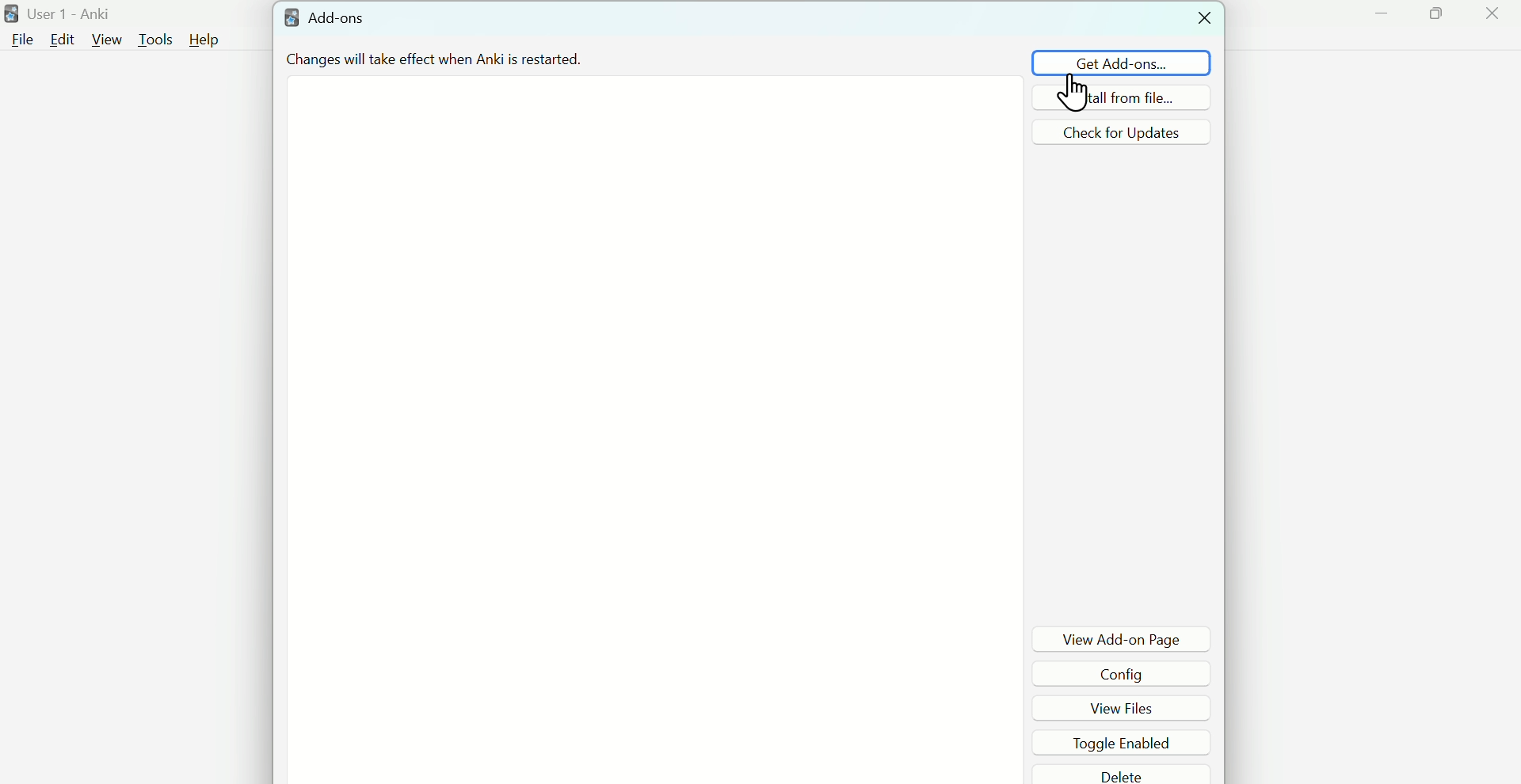 The height and width of the screenshot is (784, 1521). Describe the element at coordinates (1126, 774) in the screenshot. I see `Delete` at that location.